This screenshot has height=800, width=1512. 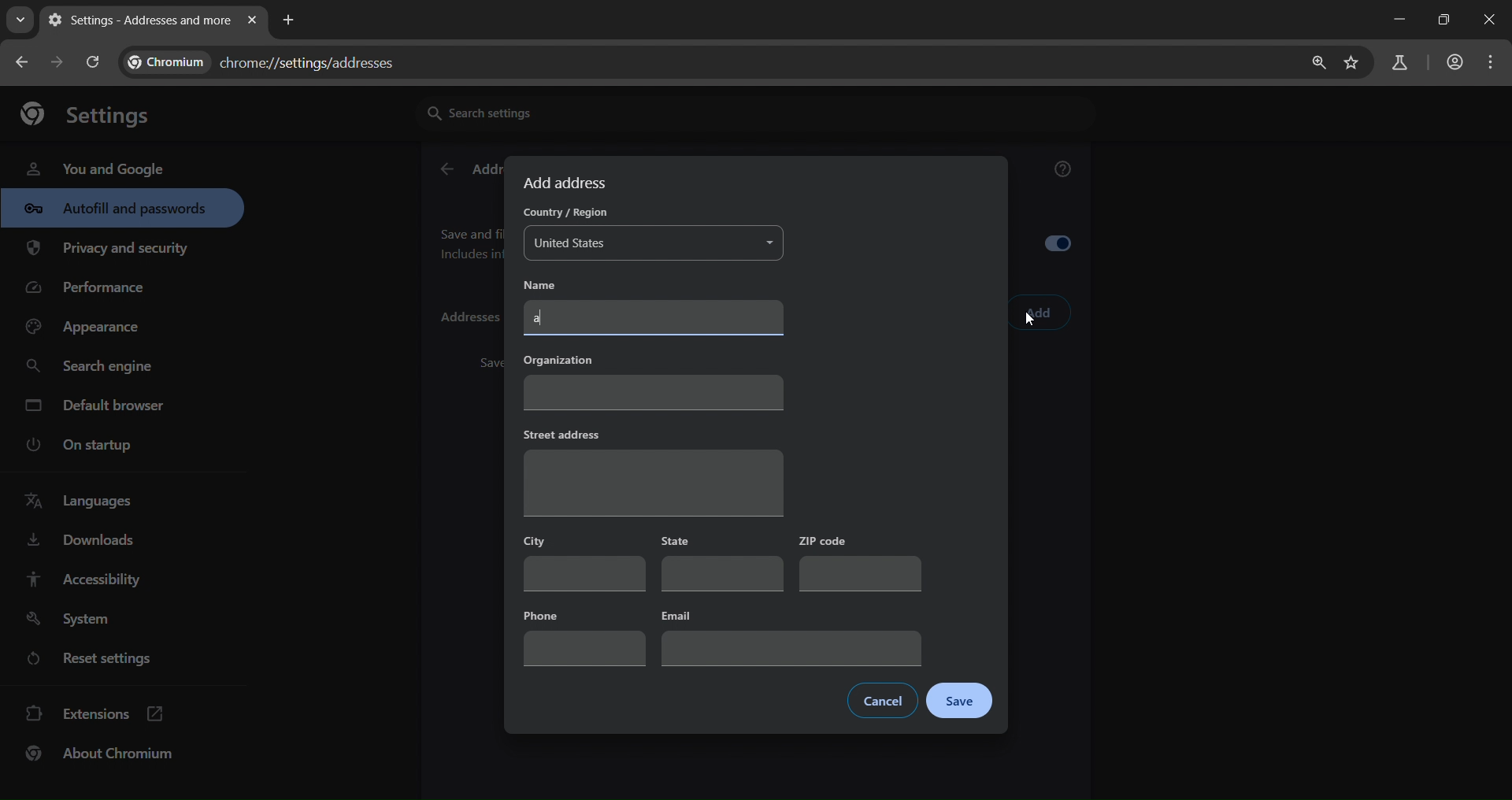 What do you see at coordinates (94, 113) in the screenshot?
I see `settings` at bounding box center [94, 113].